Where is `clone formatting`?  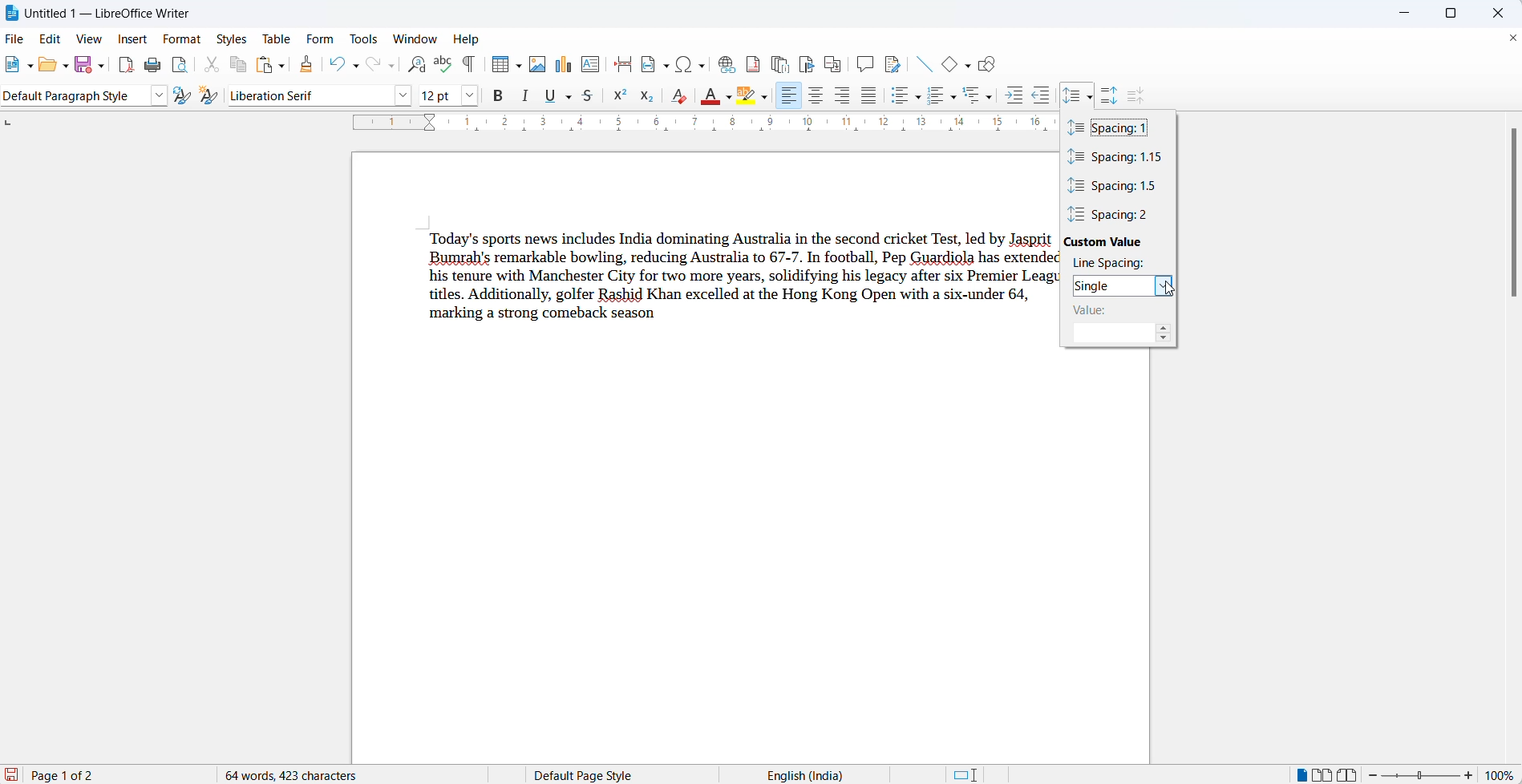
clone formatting is located at coordinates (310, 66).